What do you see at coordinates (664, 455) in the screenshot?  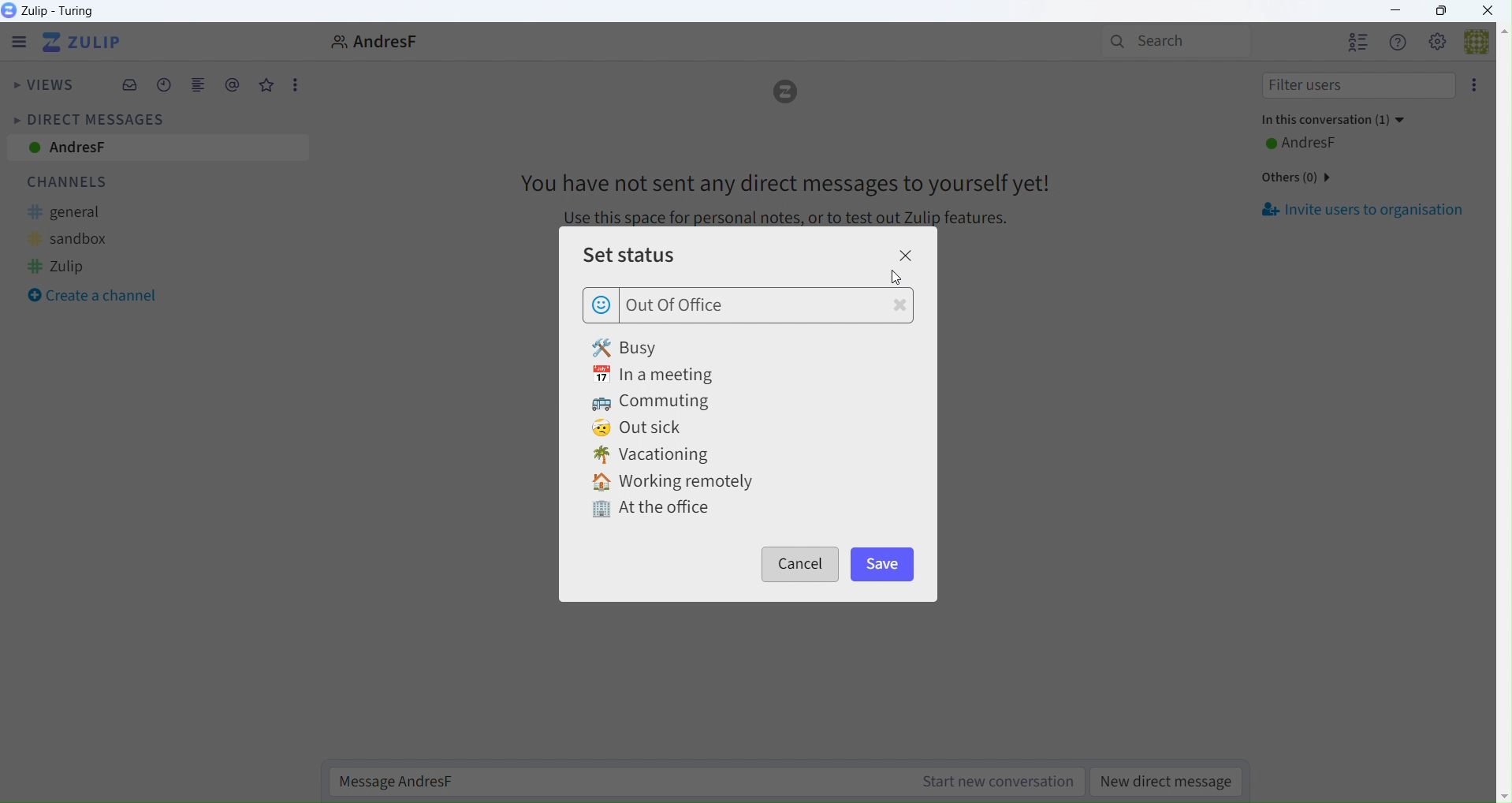 I see `Vacationing` at bounding box center [664, 455].